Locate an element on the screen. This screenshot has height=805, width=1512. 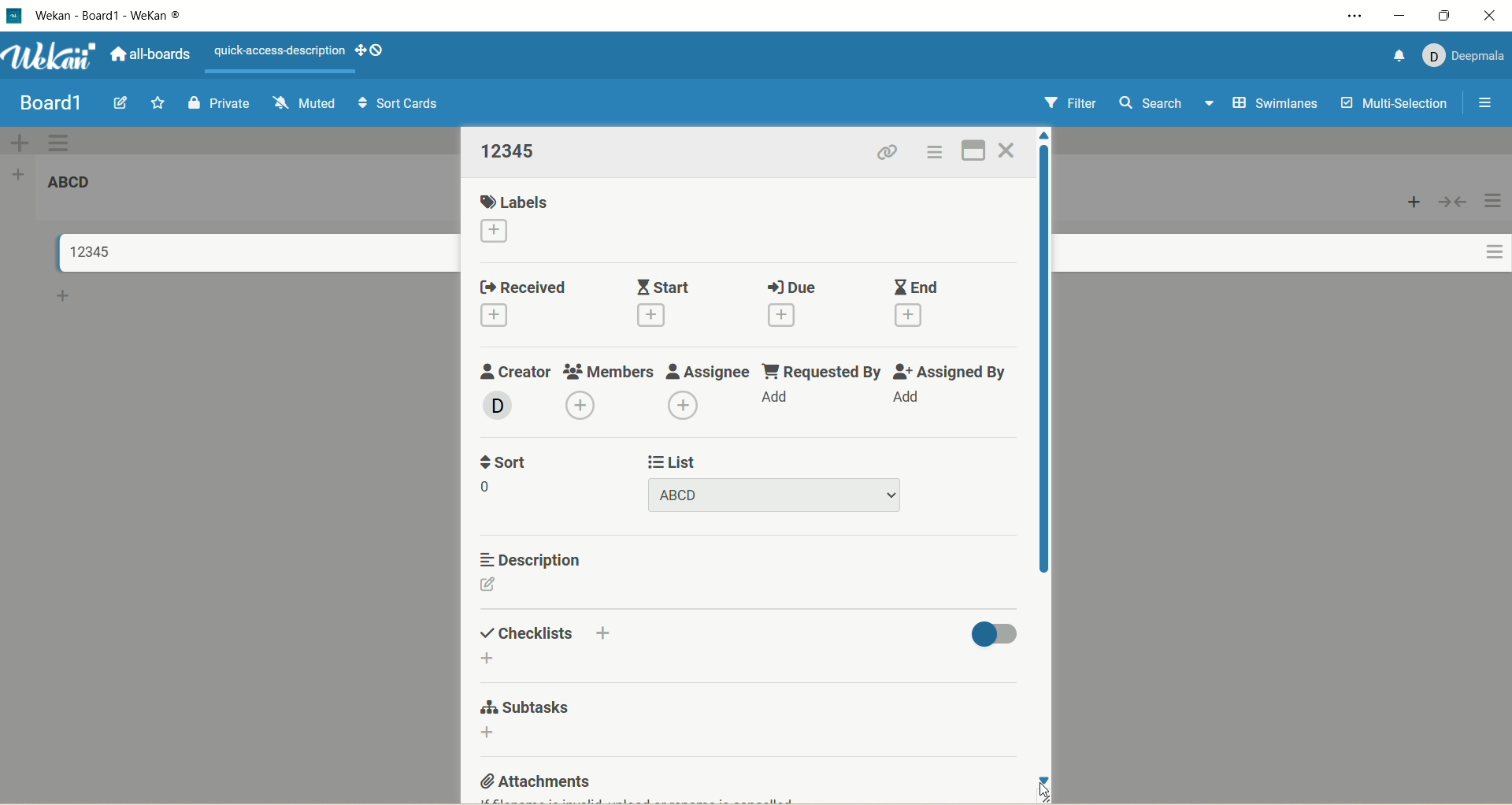
checklist is located at coordinates (525, 632).